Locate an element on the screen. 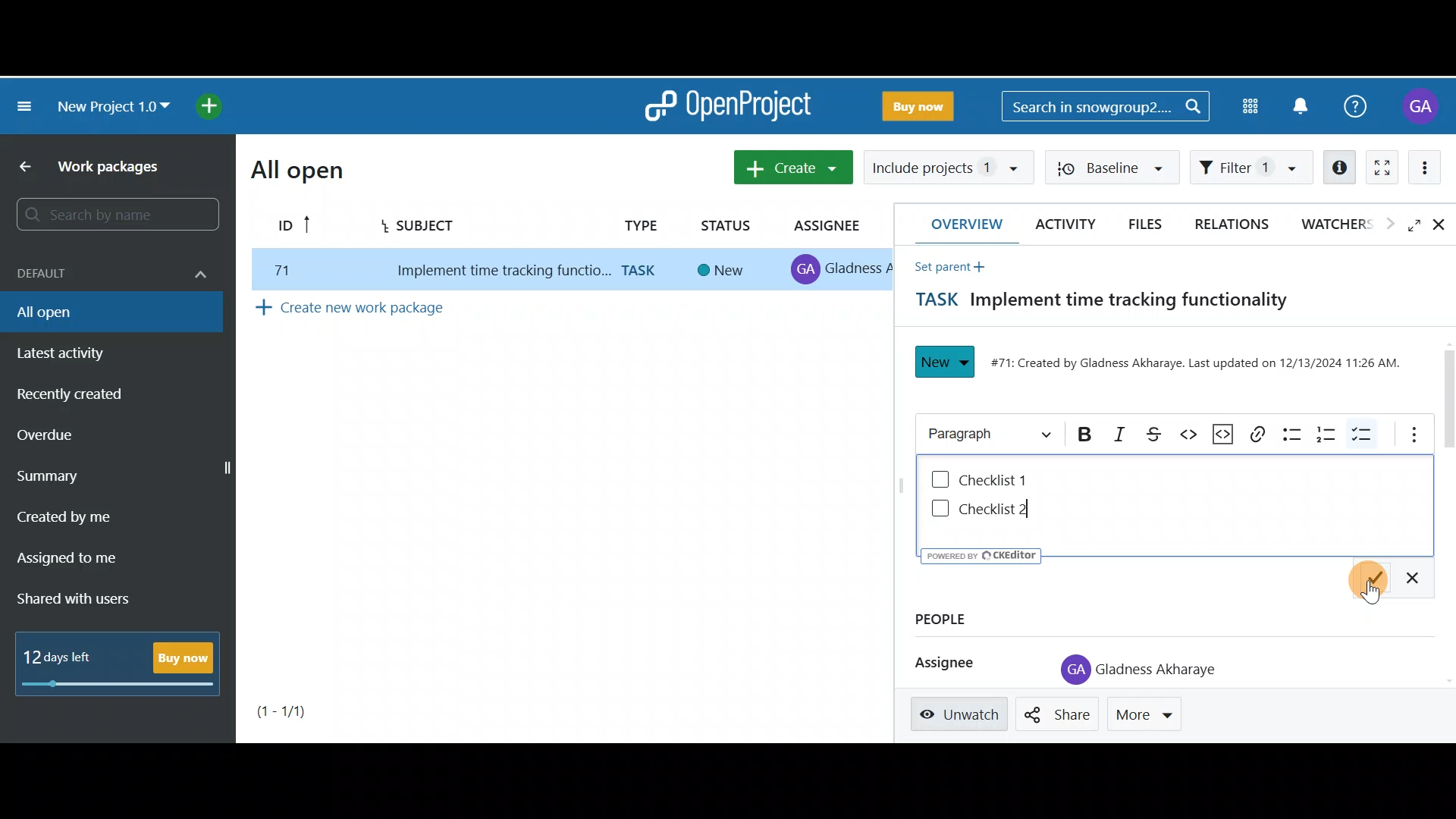  Bold is located at coordinates (1080, 436).